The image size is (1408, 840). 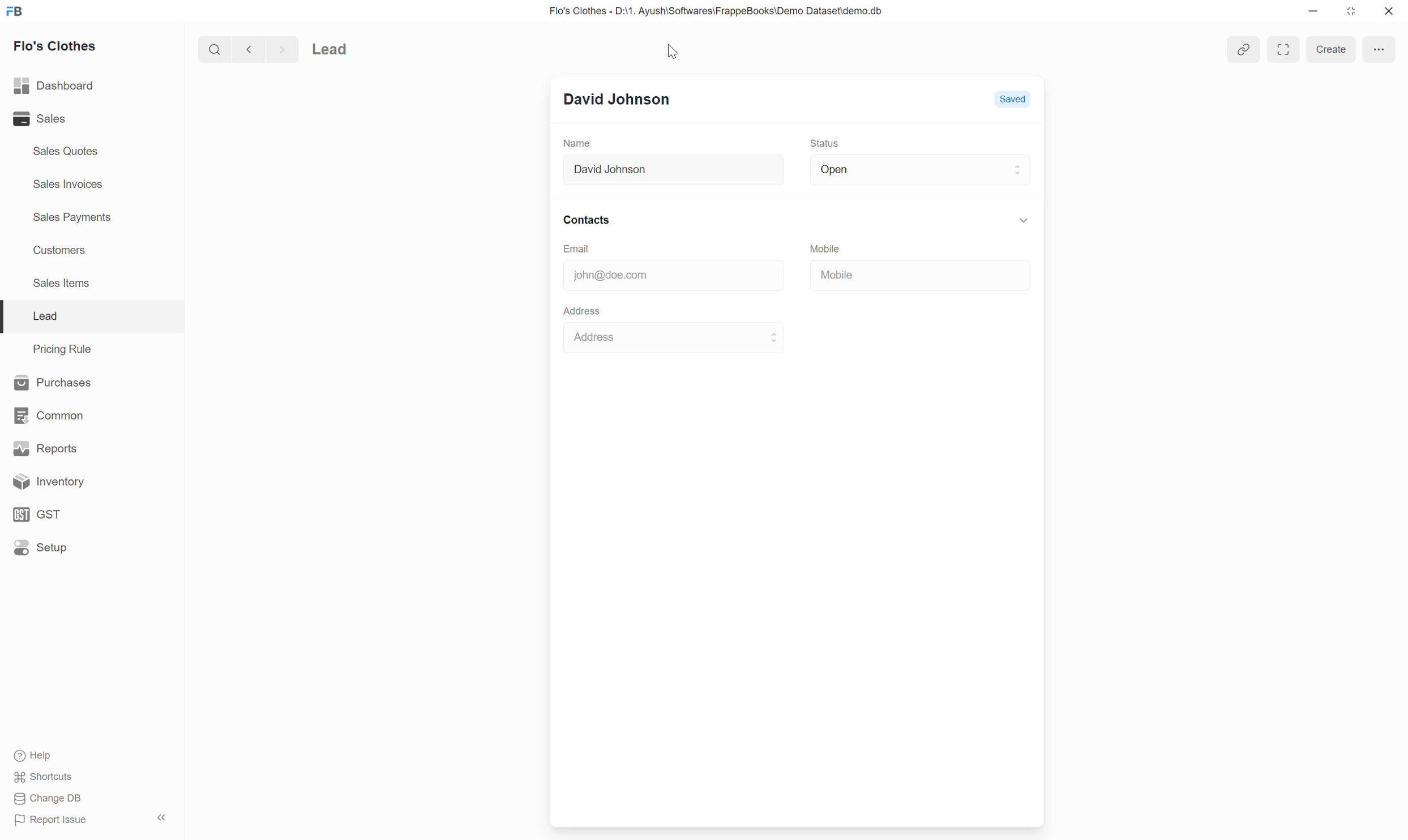 I want to click on Pricing Rule, so click(x=61, y=348).